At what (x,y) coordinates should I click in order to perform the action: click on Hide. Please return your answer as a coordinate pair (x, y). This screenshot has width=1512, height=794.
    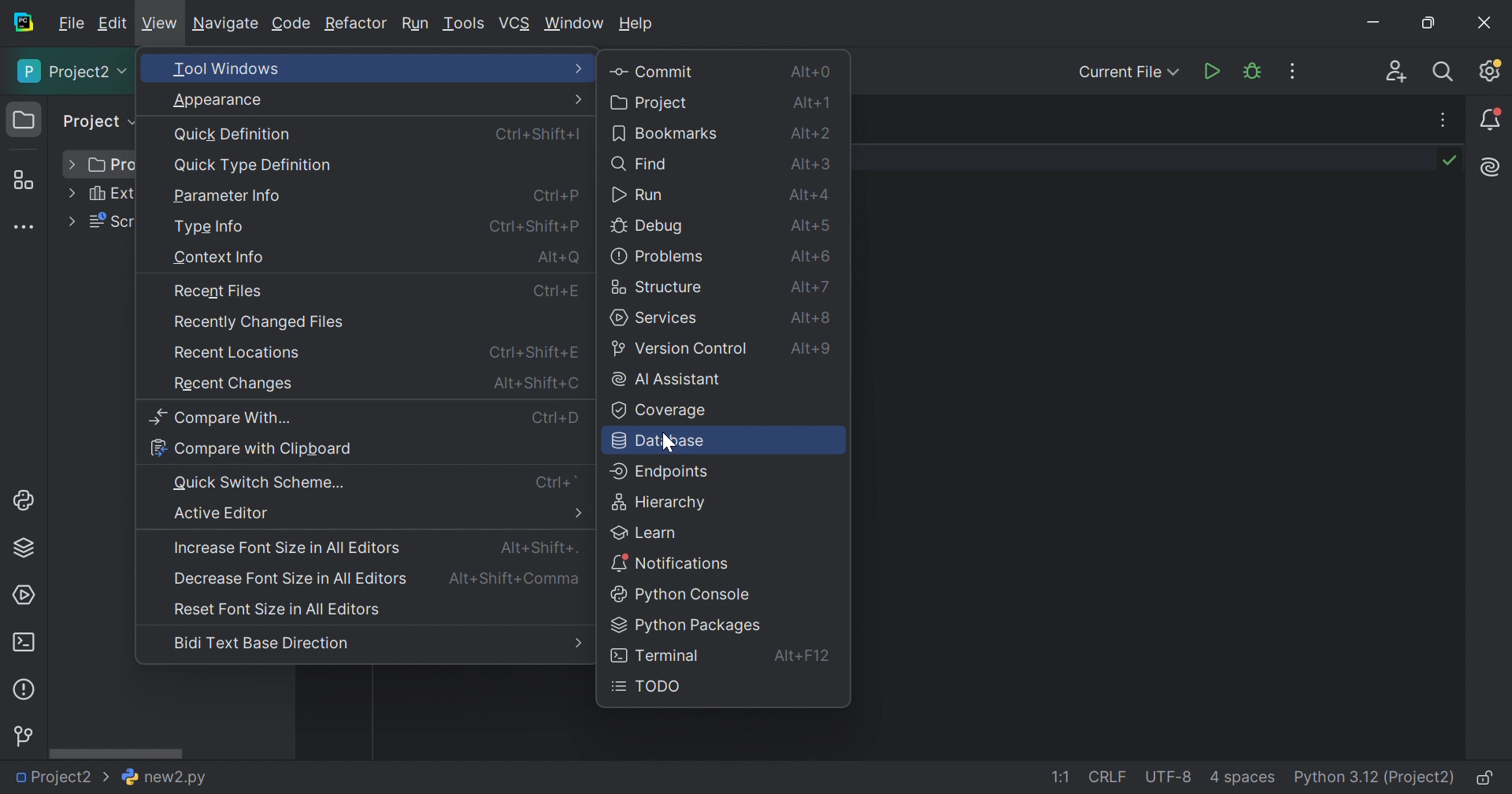
    Looking at the image, I should click on (1447, 121).